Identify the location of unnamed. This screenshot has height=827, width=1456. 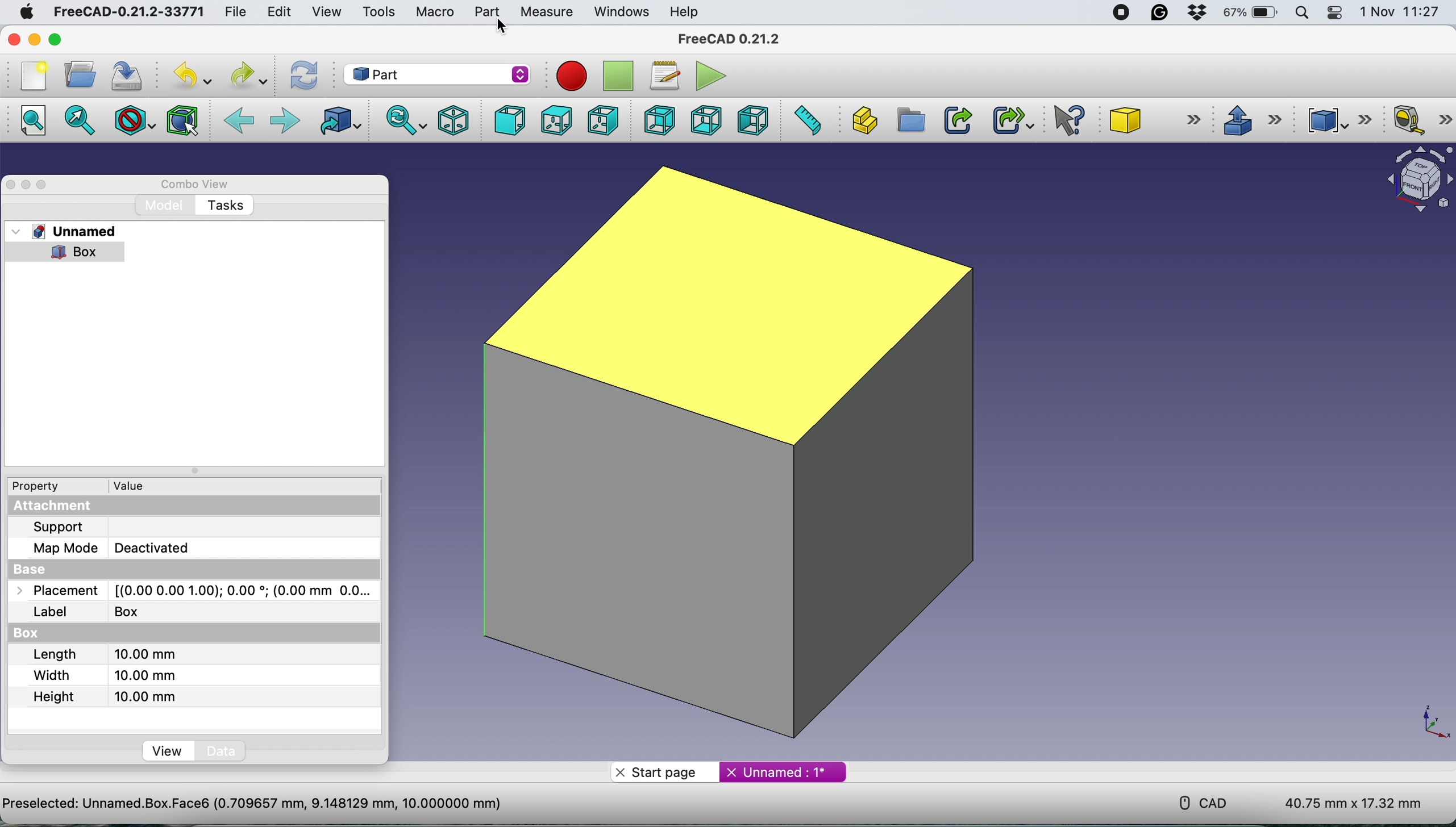
(774, 772).